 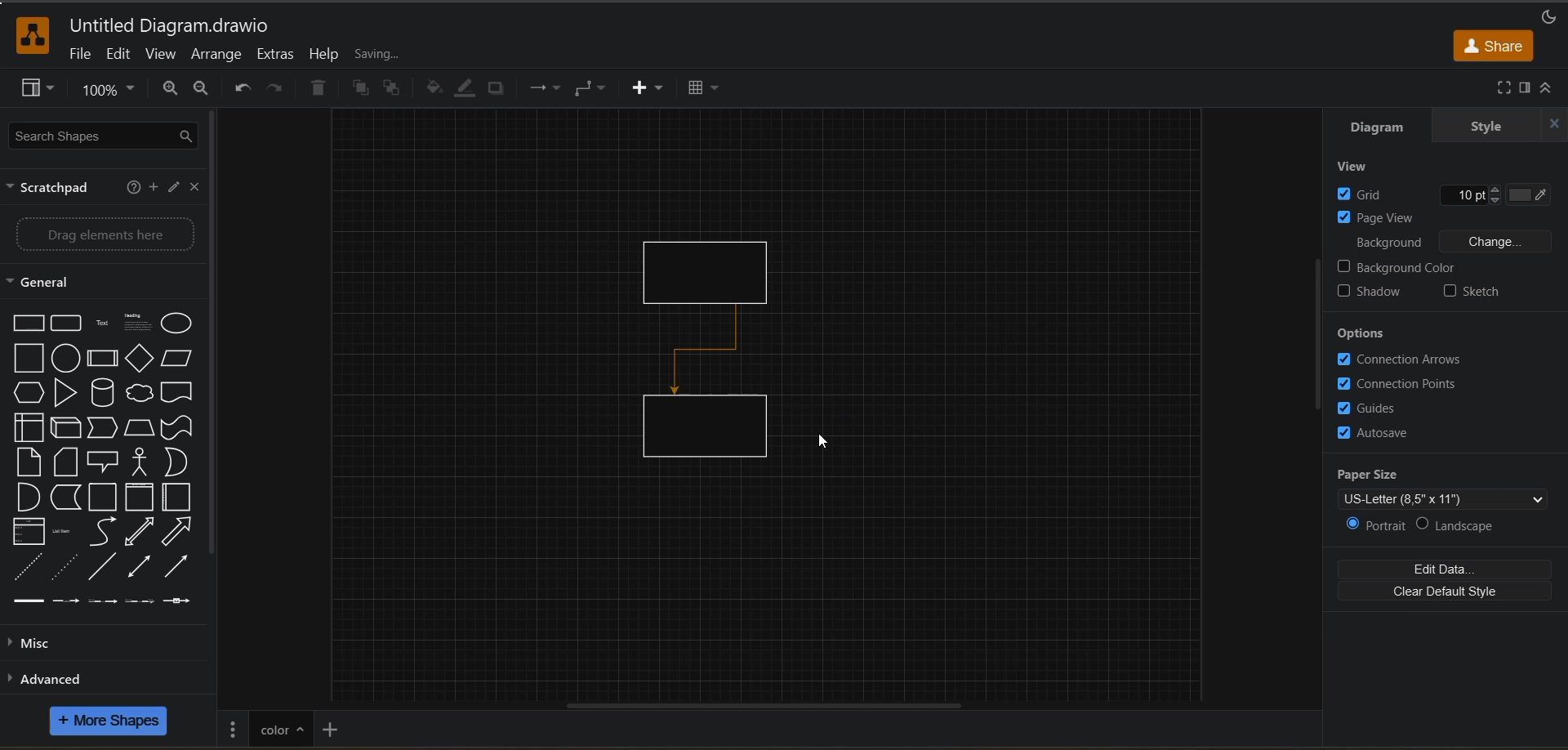 What do you see at coordinates (709, 90) in the screenshot?
I see `table` at bounding box center [709, 90].